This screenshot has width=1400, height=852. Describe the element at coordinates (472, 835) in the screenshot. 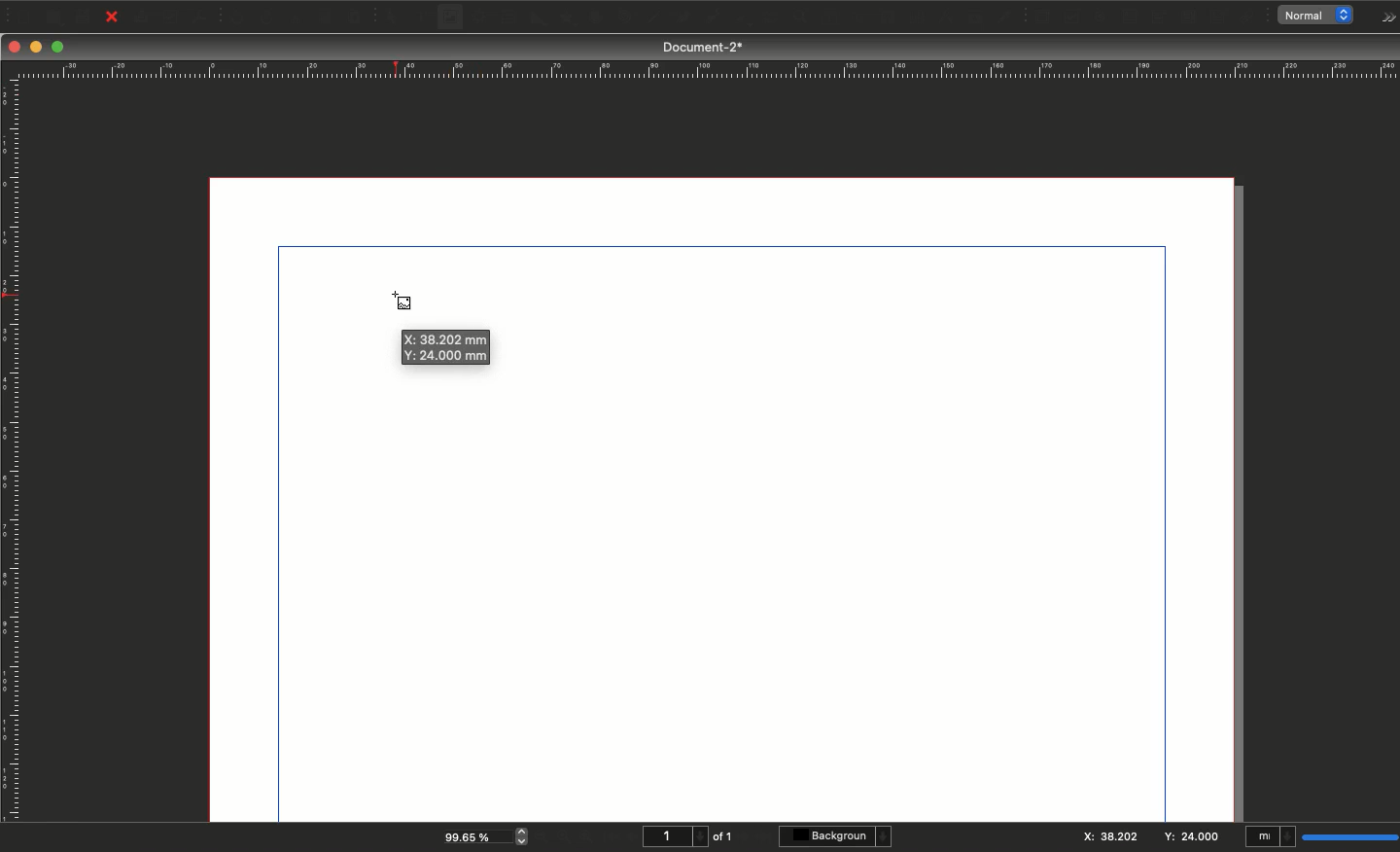

I see `99.65 %` at that location.